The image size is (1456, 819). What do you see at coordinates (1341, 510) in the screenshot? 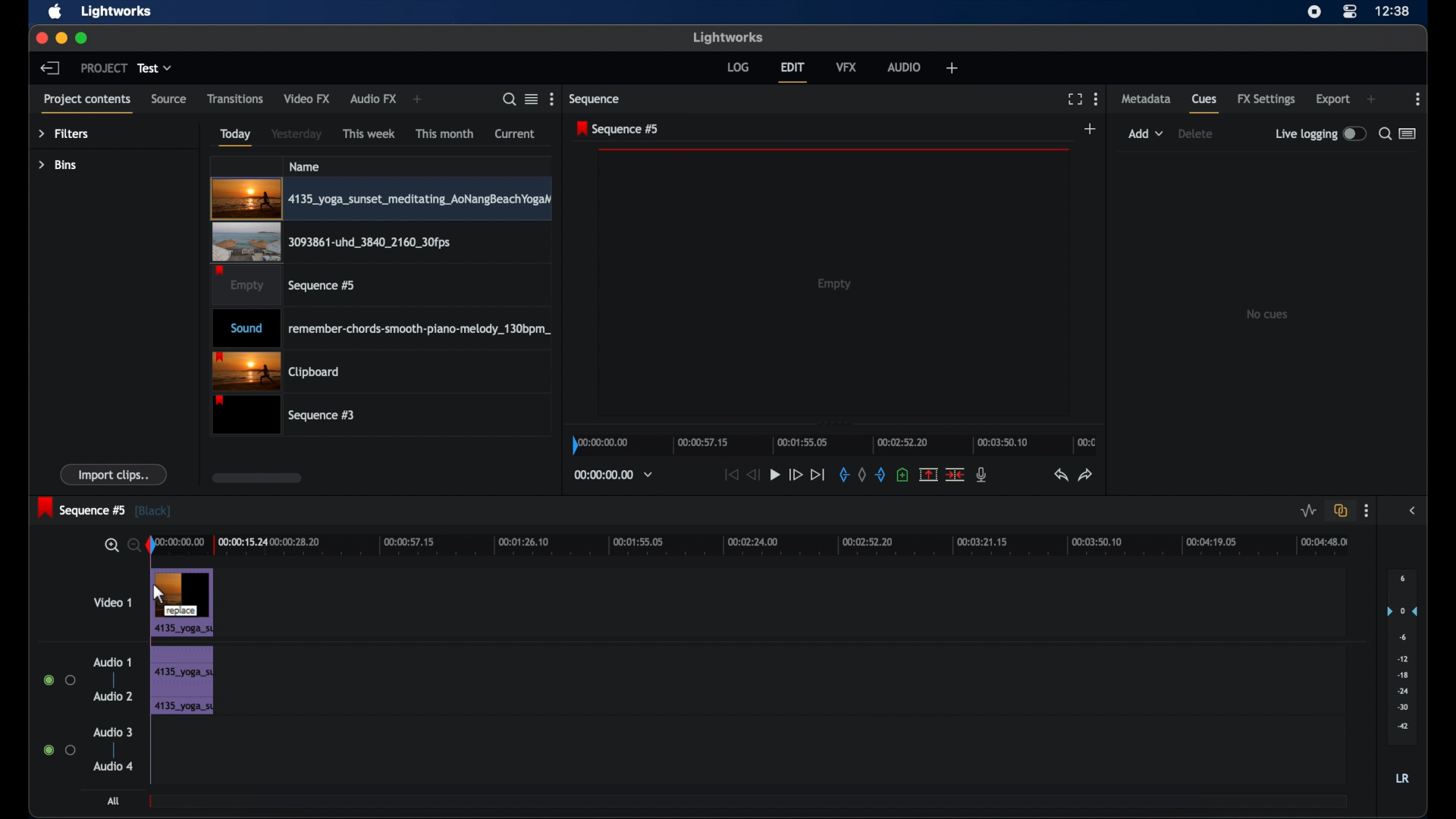
I see `toggle auto track synd` at bounding box center [1341, 510].